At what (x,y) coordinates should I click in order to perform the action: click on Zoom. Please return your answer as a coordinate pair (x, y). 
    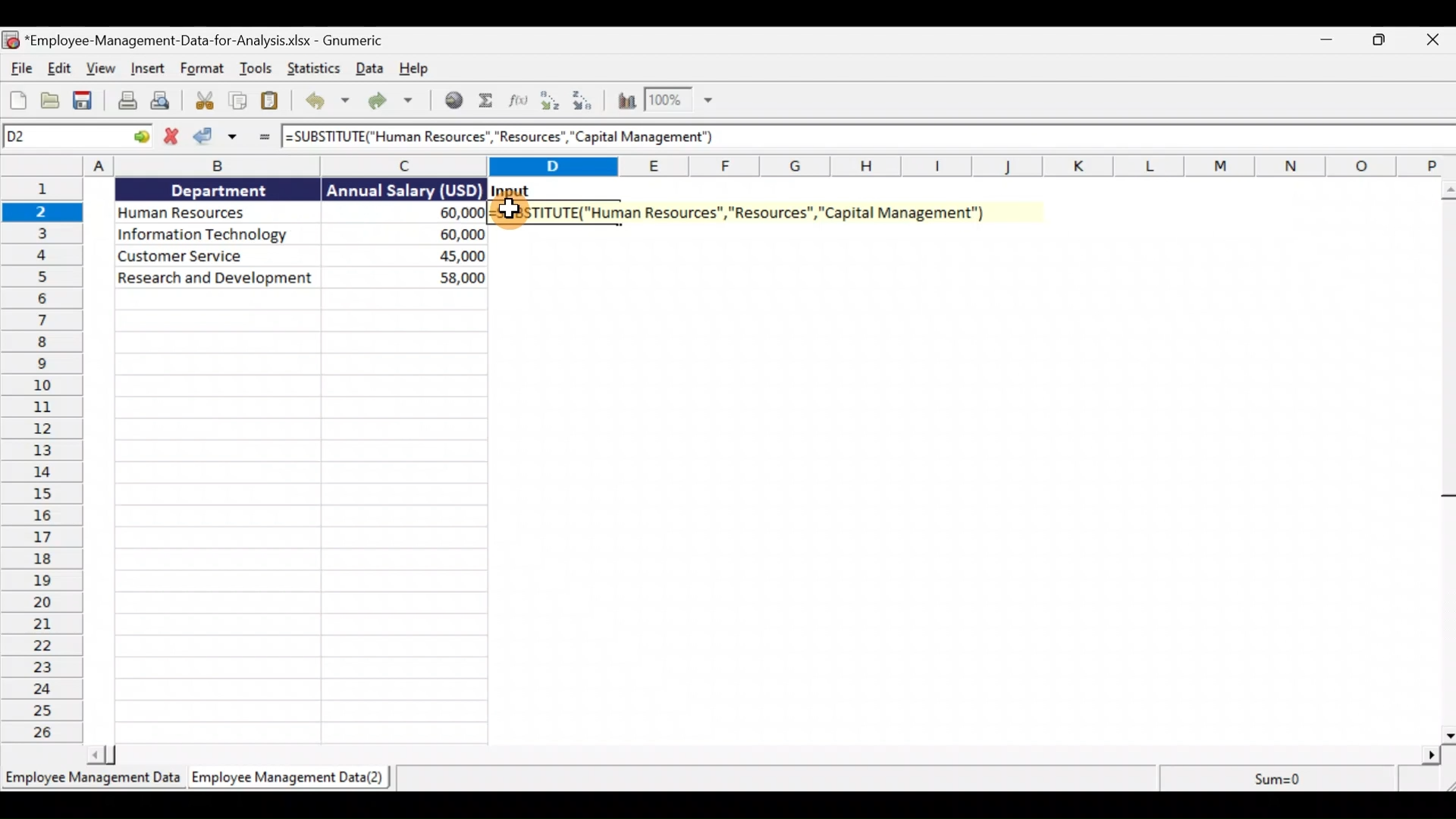
    Looking at the image, I should click on (680, 102).